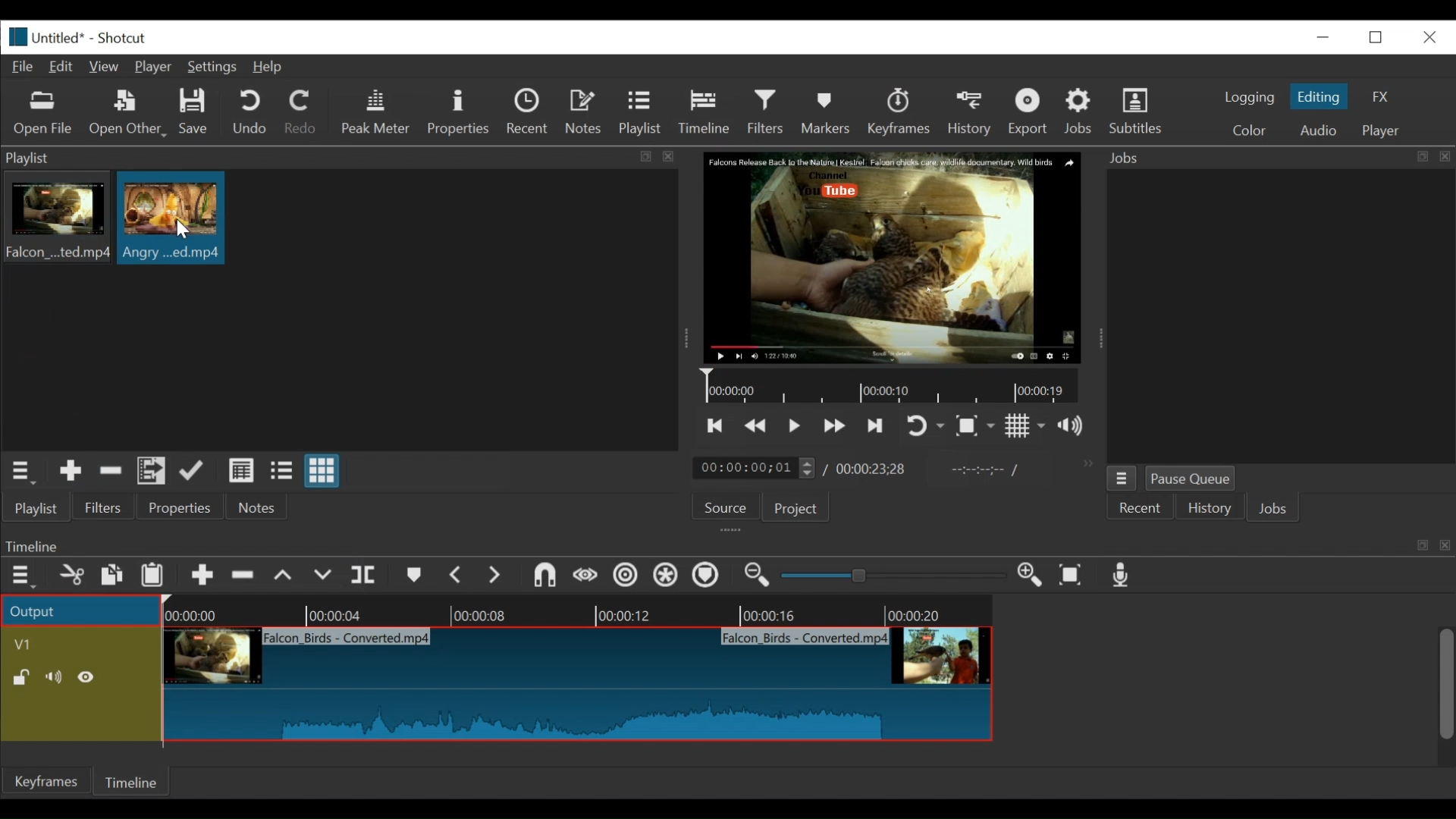 This screenshot has height=819, width=1456. What do you see at coordinates (890, 257) in the screenshot?
I see `media viewer` at bounding box center [890, 257].